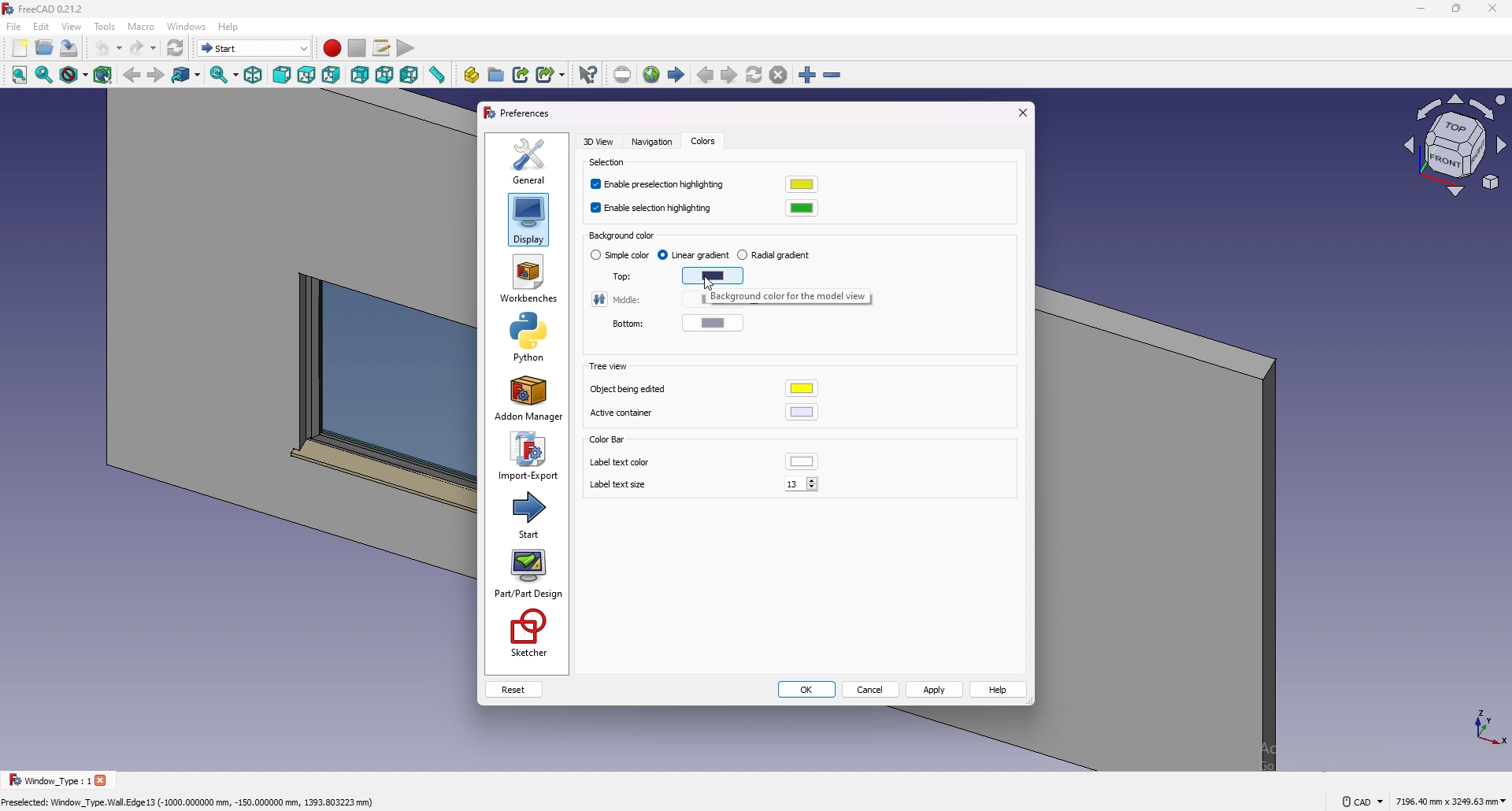  What do you see at coordinates (176, 48) in the screenshot?
I see `refresh` at bounding box center [176, 48].